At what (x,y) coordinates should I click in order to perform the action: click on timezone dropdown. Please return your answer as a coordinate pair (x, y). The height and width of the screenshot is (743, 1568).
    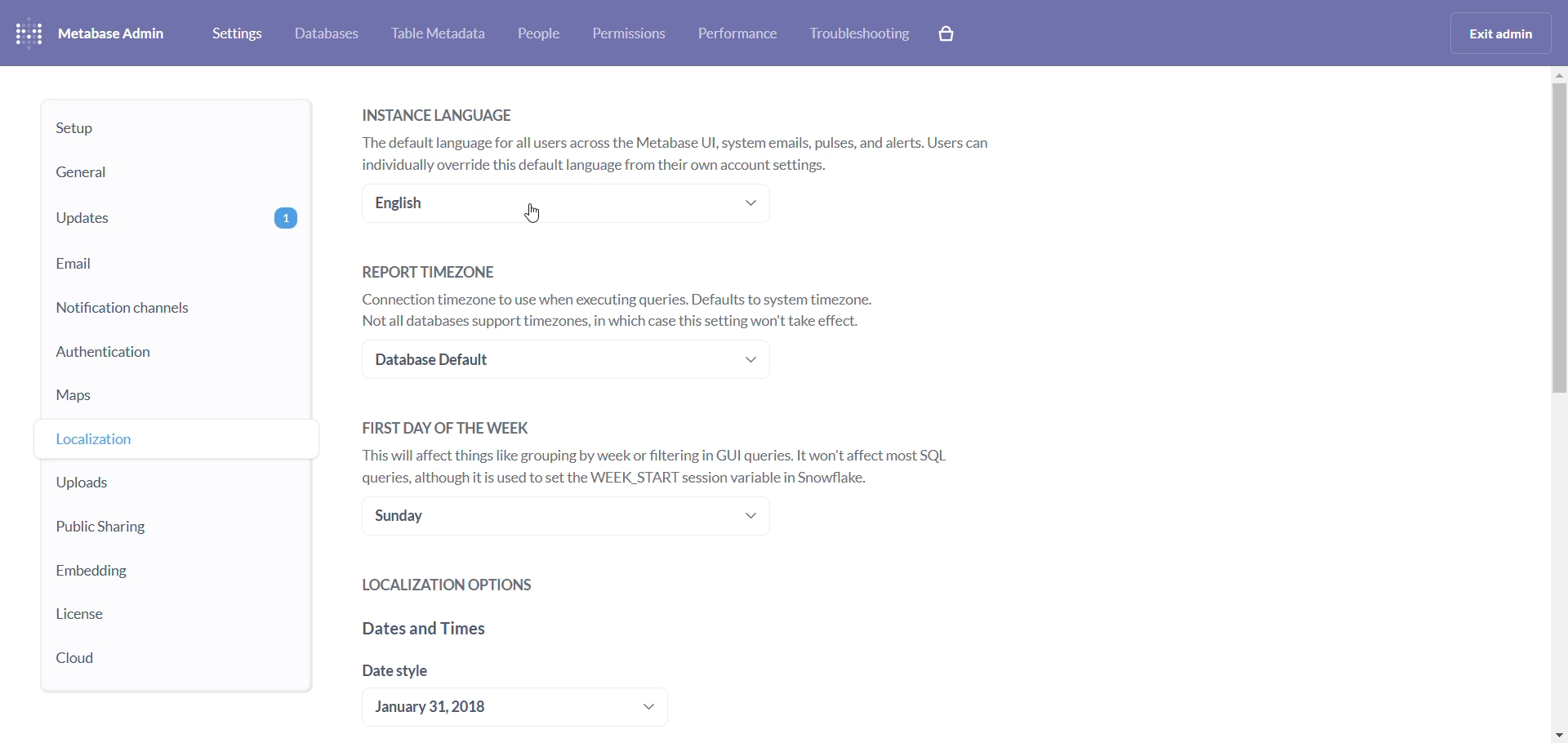
    Looking at the image, I should click on (566, 363).